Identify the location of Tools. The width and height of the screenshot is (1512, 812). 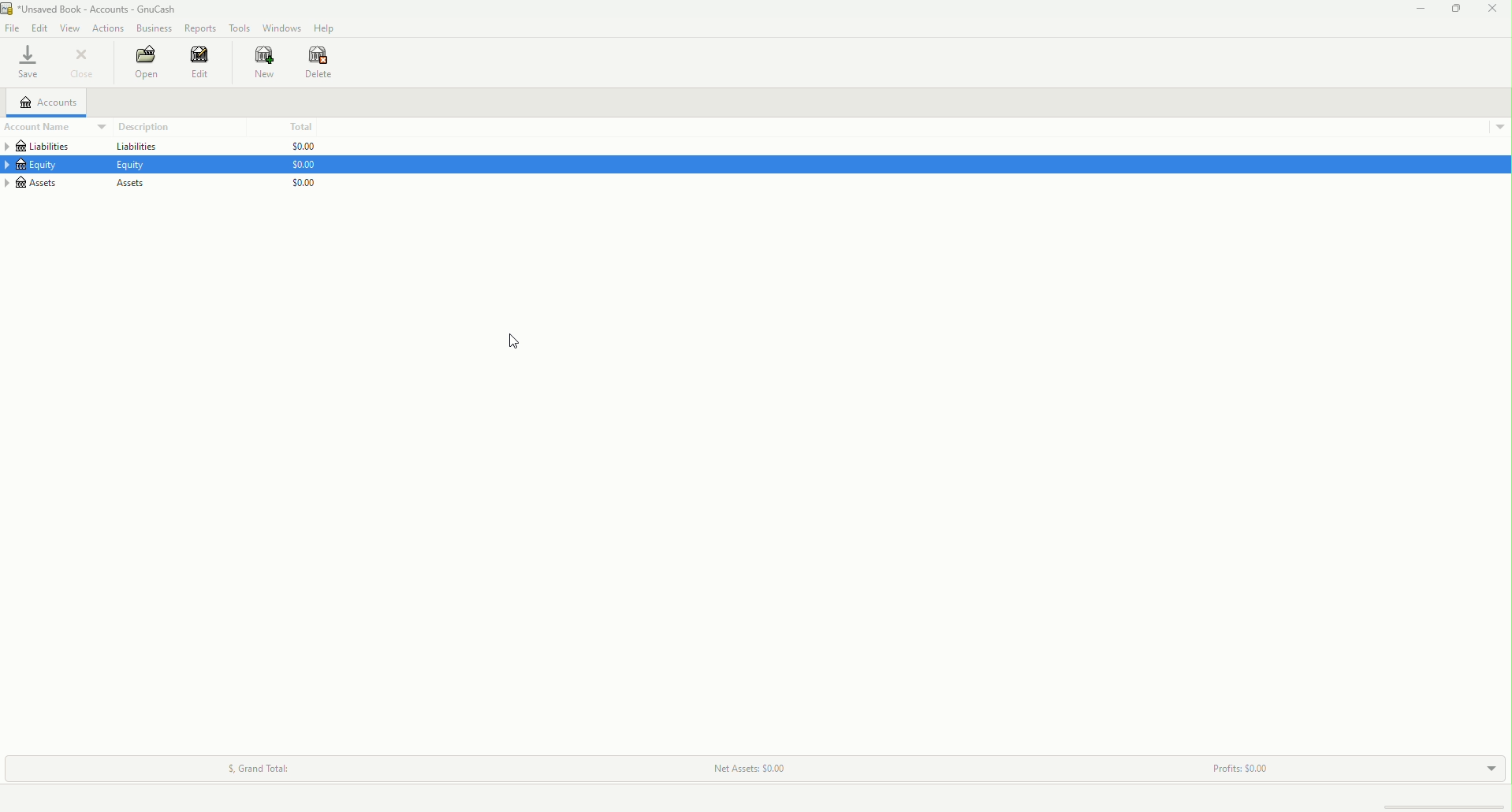
(238, 25).